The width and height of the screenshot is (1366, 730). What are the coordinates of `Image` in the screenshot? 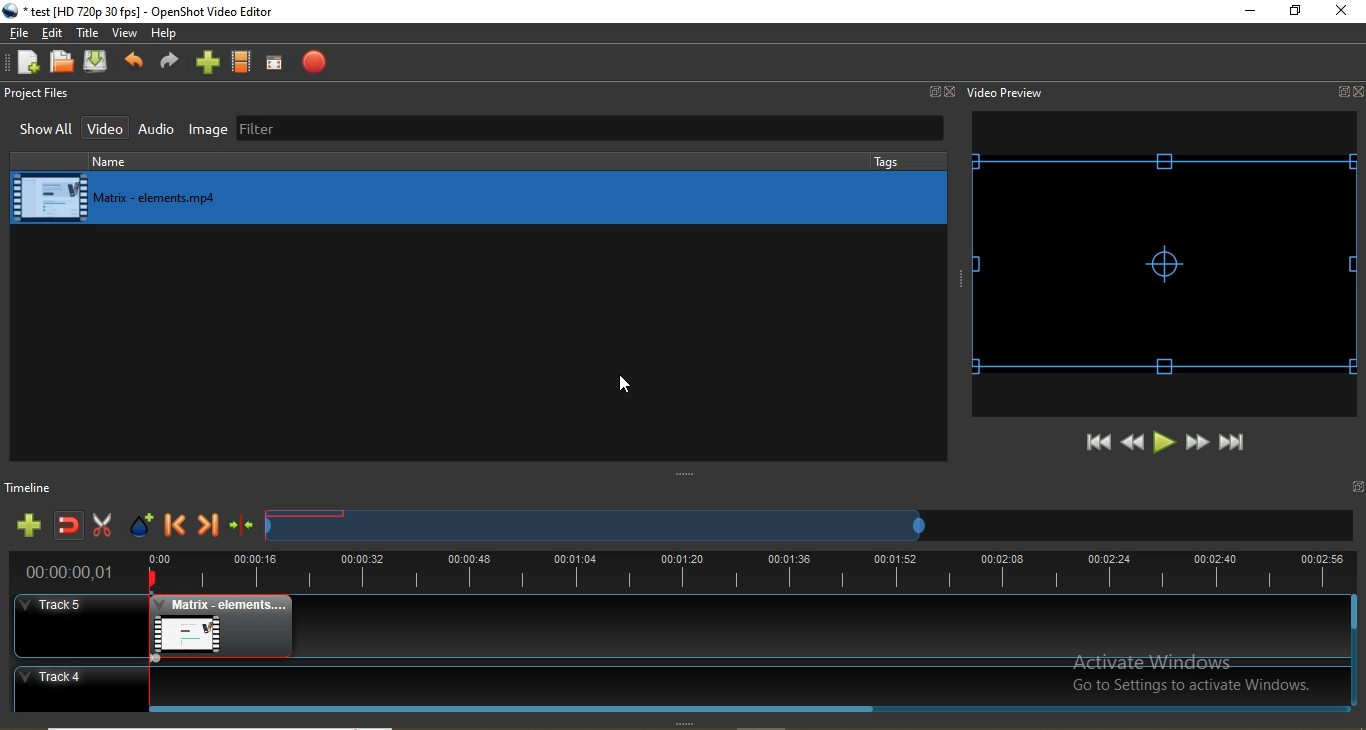 It's located at (208, 132).